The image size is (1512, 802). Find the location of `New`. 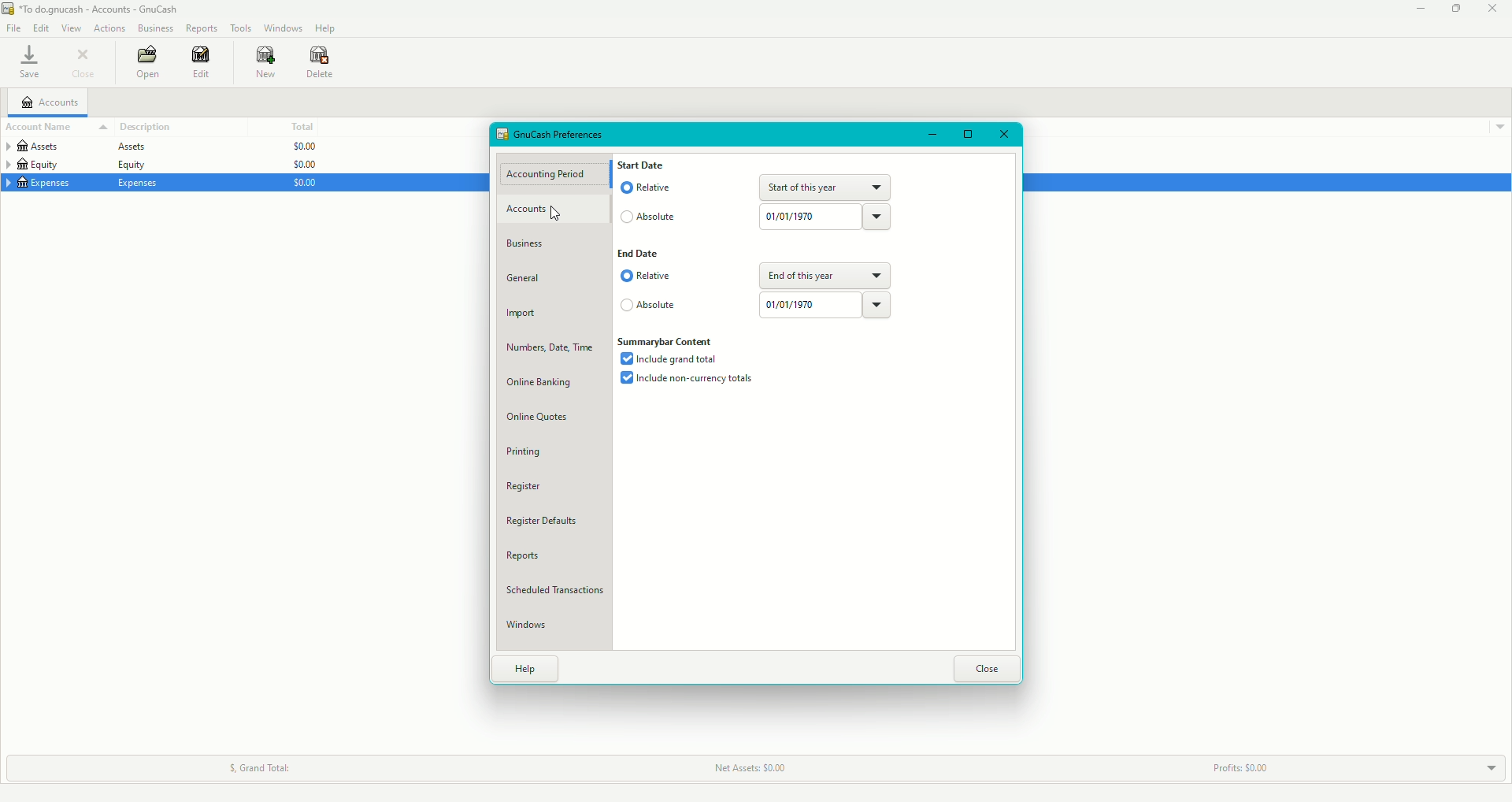

New is located at coordinates (267, 62).